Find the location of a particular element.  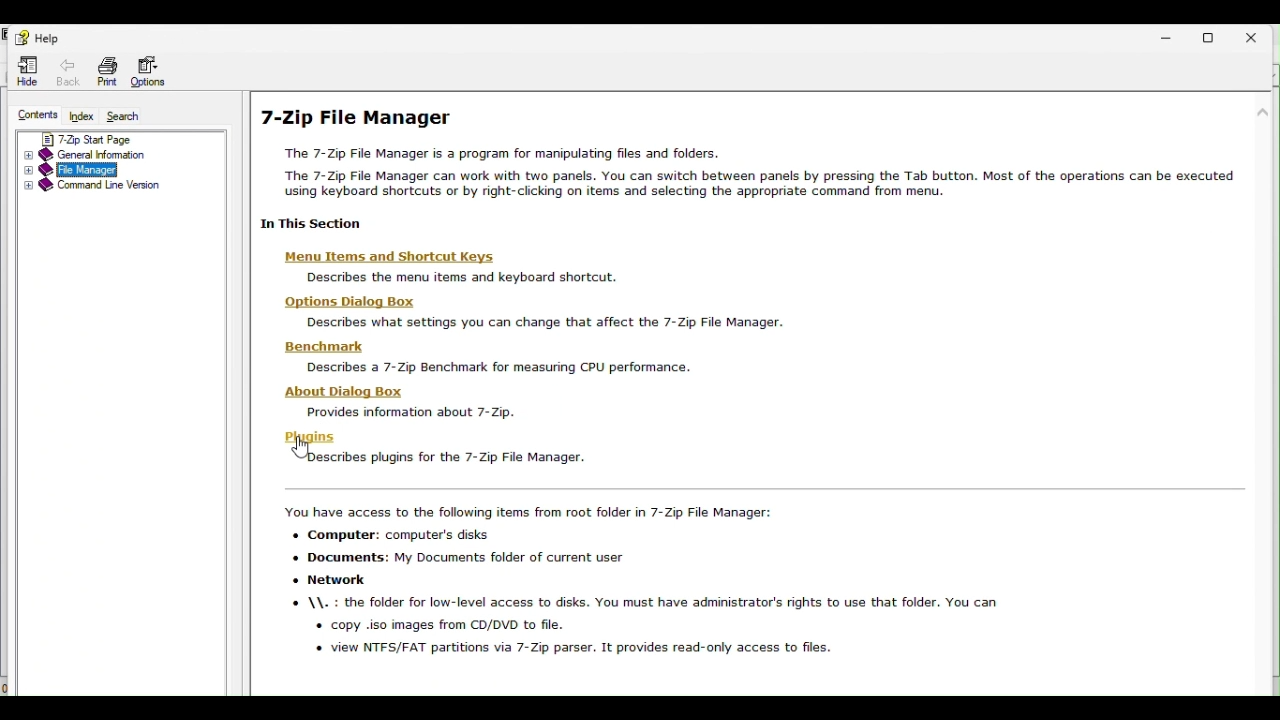

7 zip start page is located at coordinates (123, 137).